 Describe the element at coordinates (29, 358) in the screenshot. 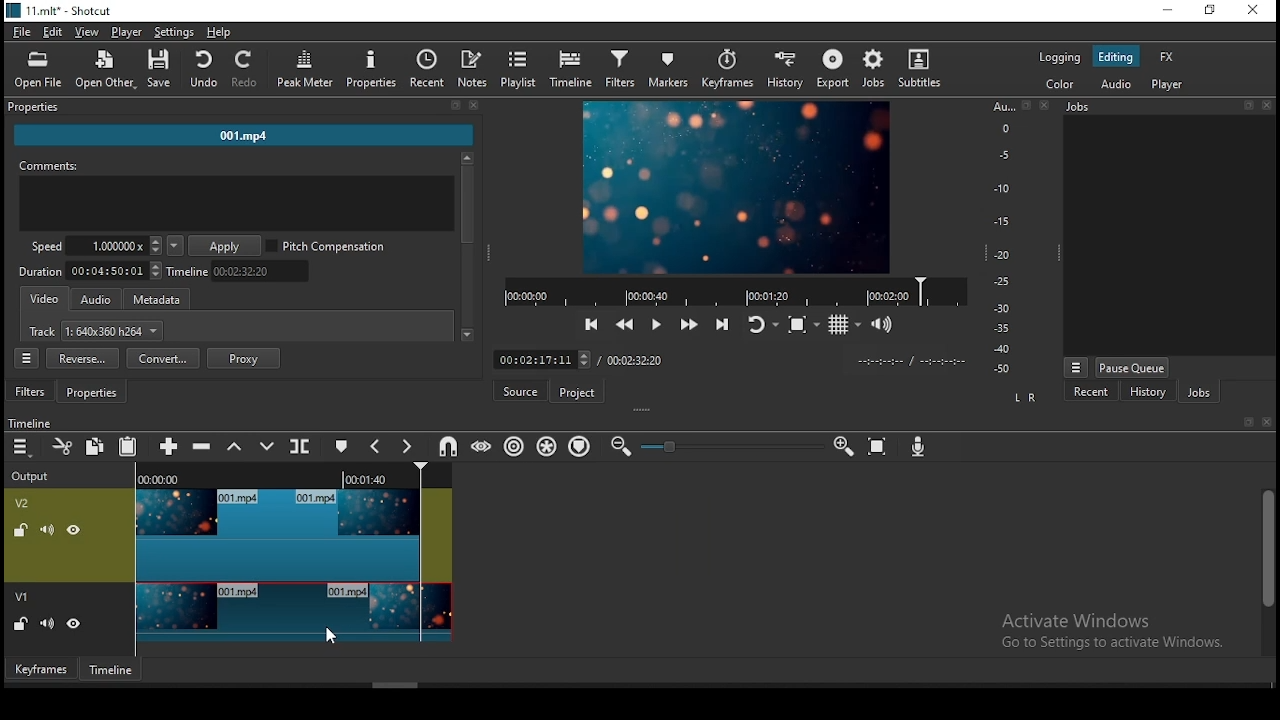

I see `properties menu` at that location.